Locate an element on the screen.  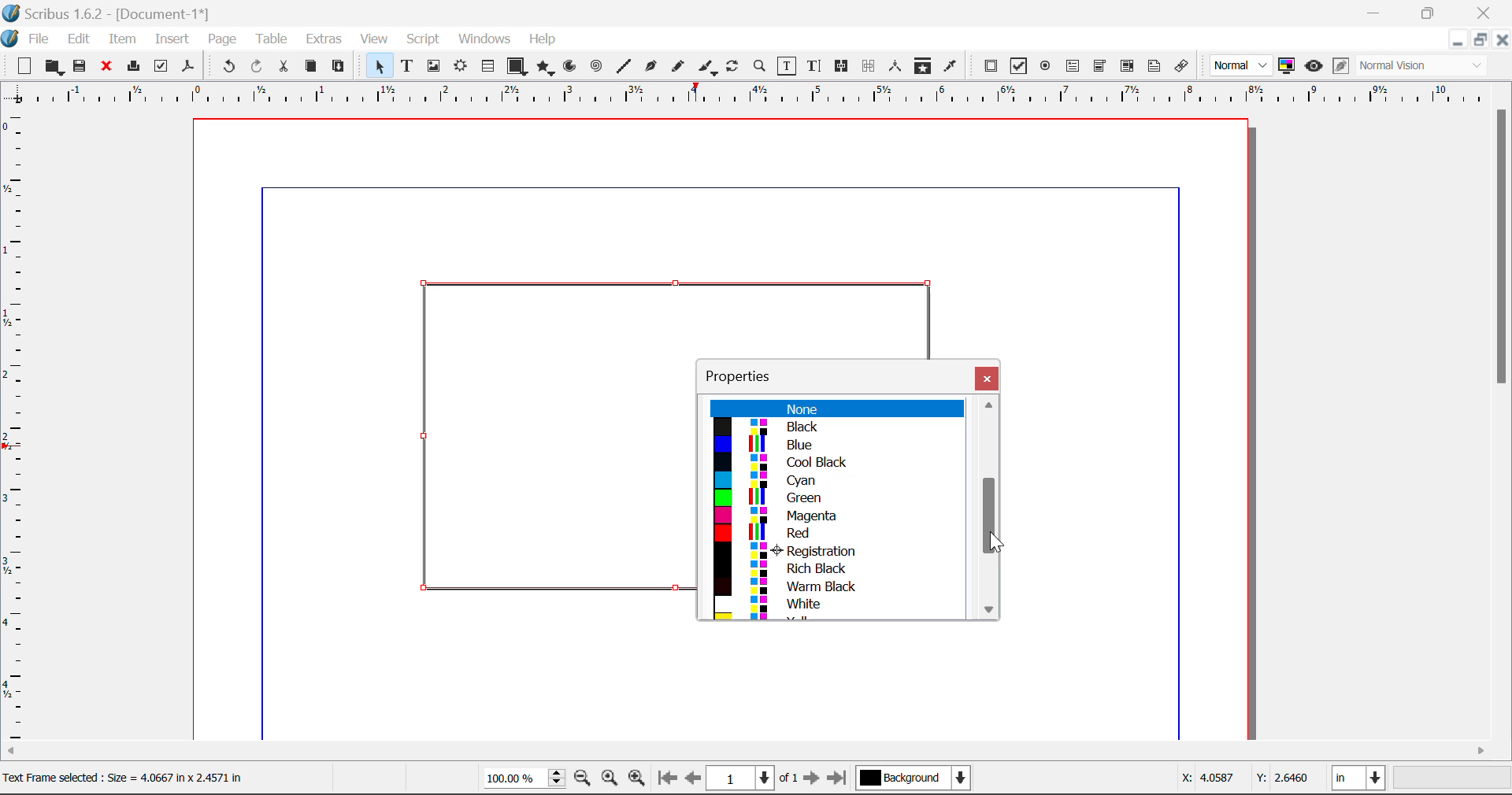
Previous Page is located at coordinates (695, 781).